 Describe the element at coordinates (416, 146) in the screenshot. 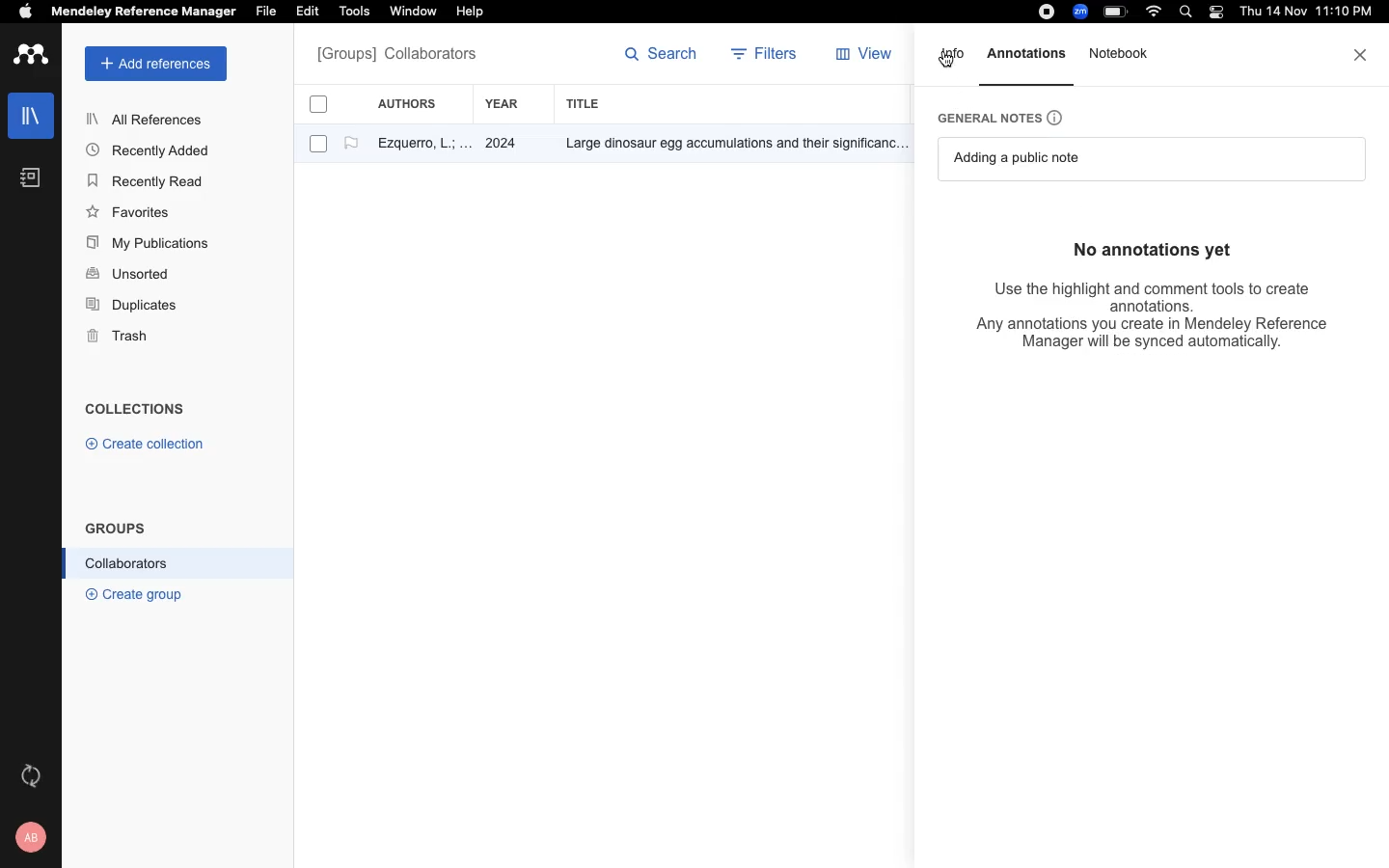

I see `author` at that location.